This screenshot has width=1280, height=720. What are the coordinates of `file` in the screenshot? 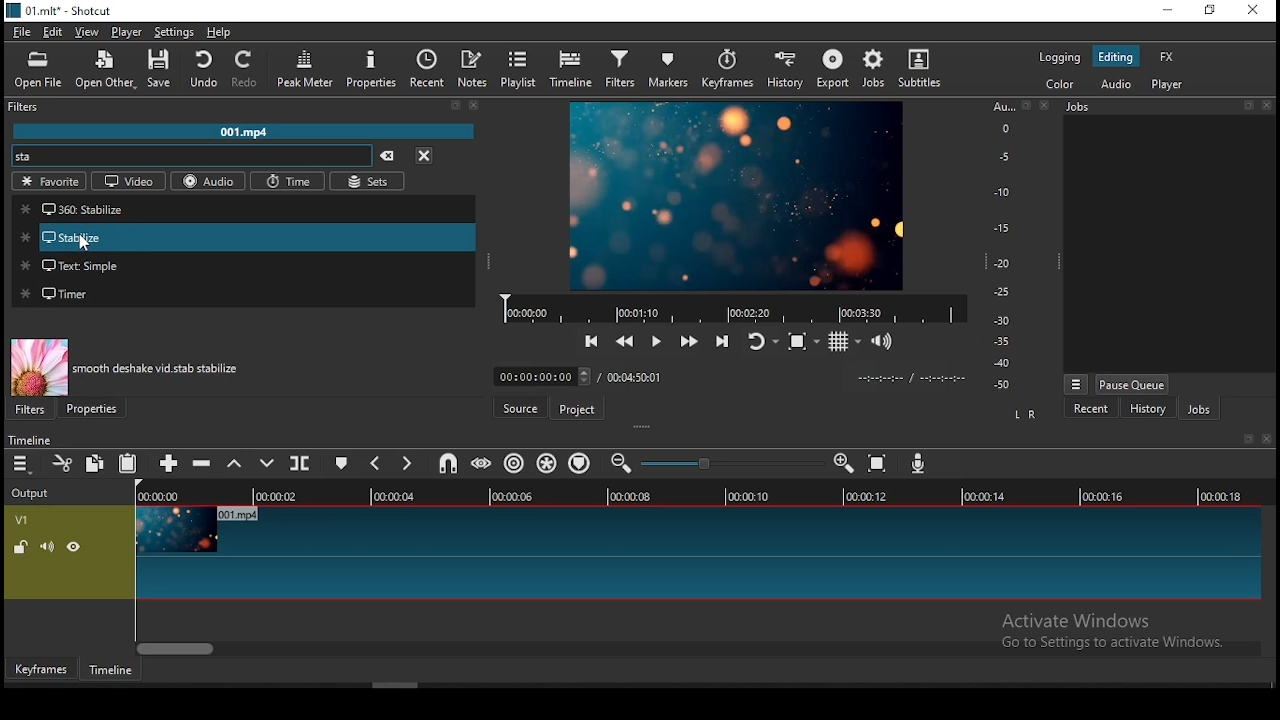 It's located at (23, 31).